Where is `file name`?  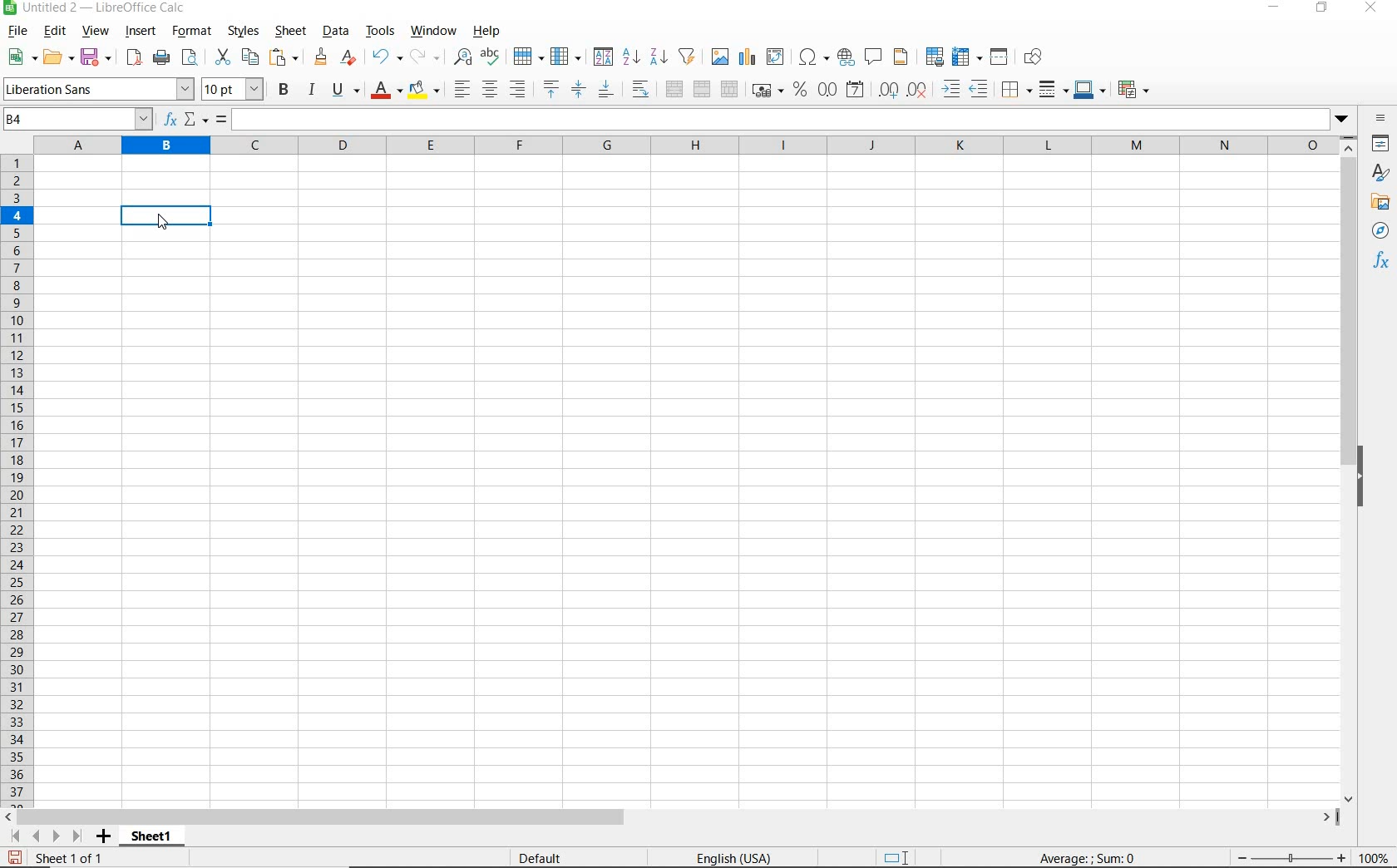
file name is located at coordinates (100, 9).